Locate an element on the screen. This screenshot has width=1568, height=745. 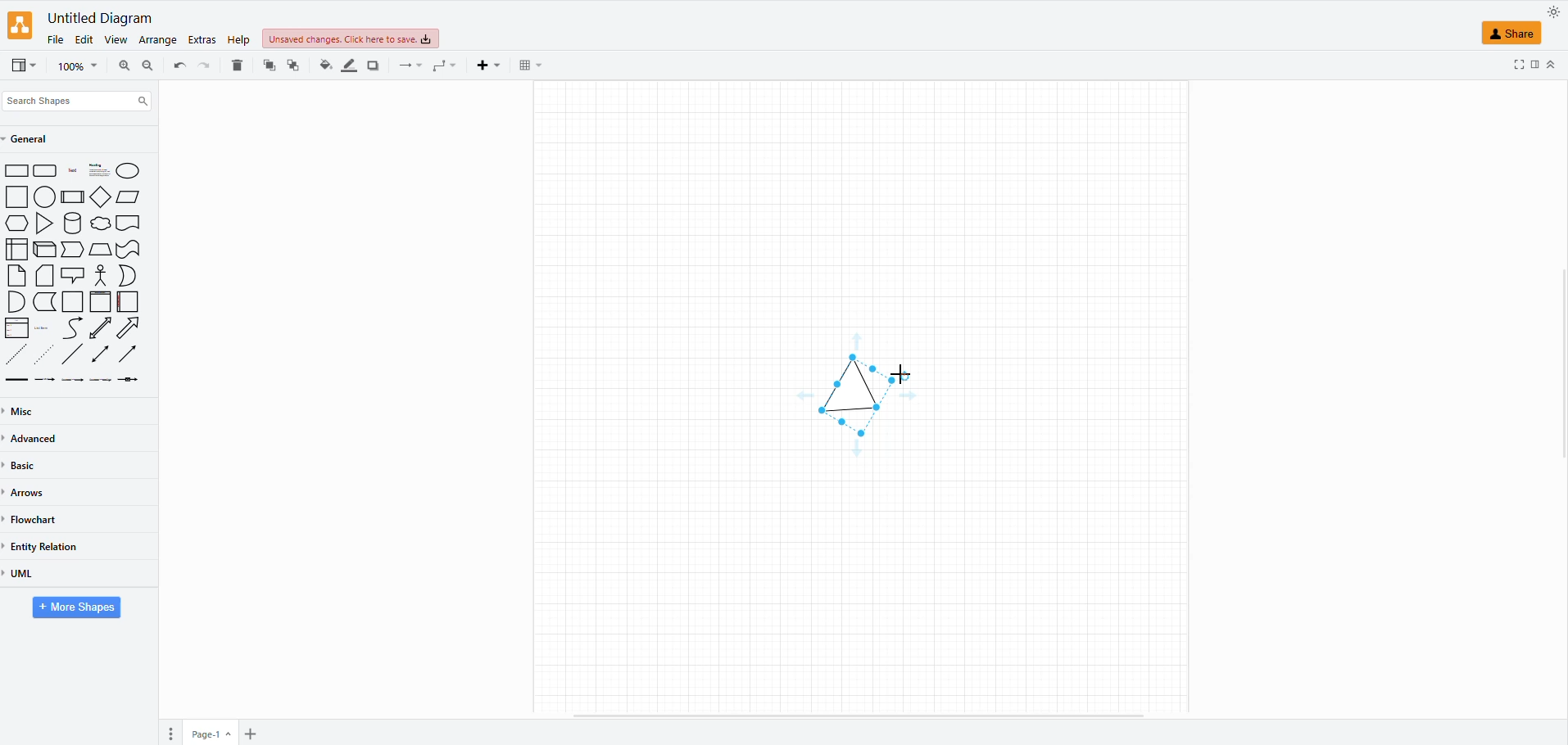
Rounded Box is located at coordinates (46, 170).